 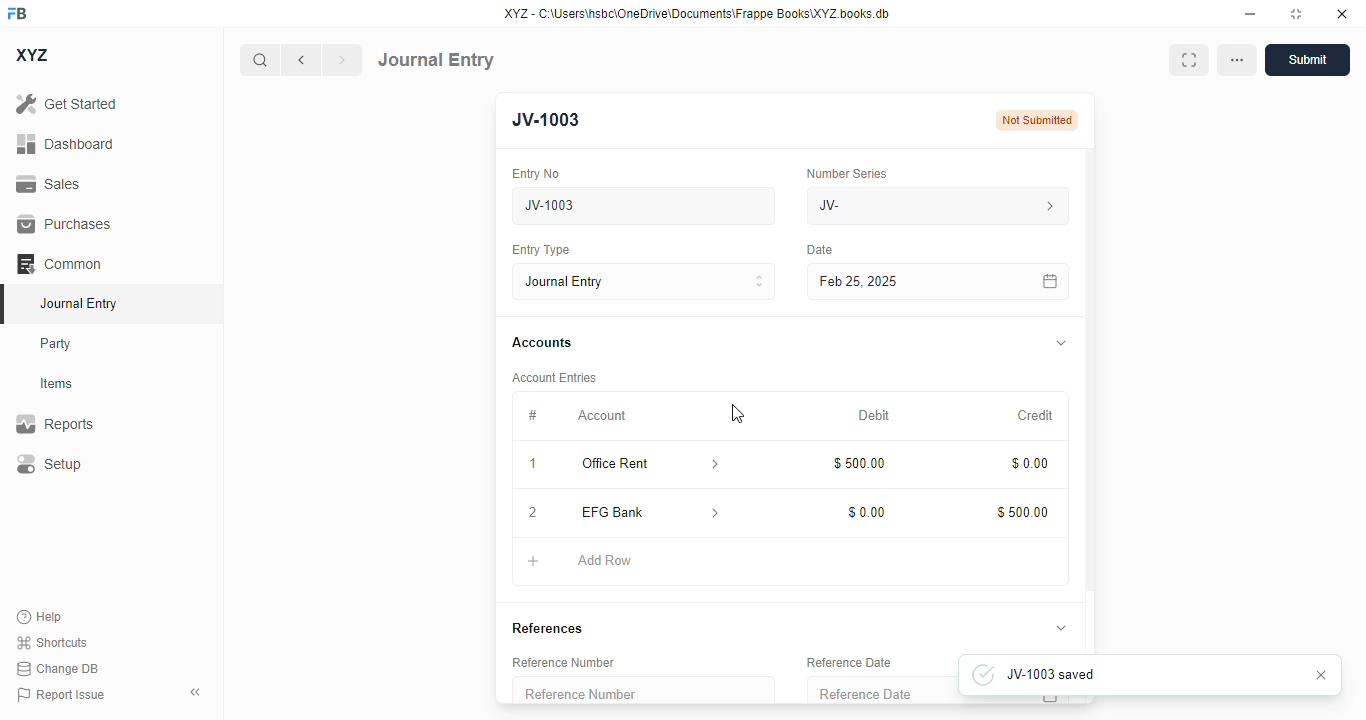 What do you see at coordinates (548, 628) in the screenshot?
I see `references` at bounding box center [548, 628].